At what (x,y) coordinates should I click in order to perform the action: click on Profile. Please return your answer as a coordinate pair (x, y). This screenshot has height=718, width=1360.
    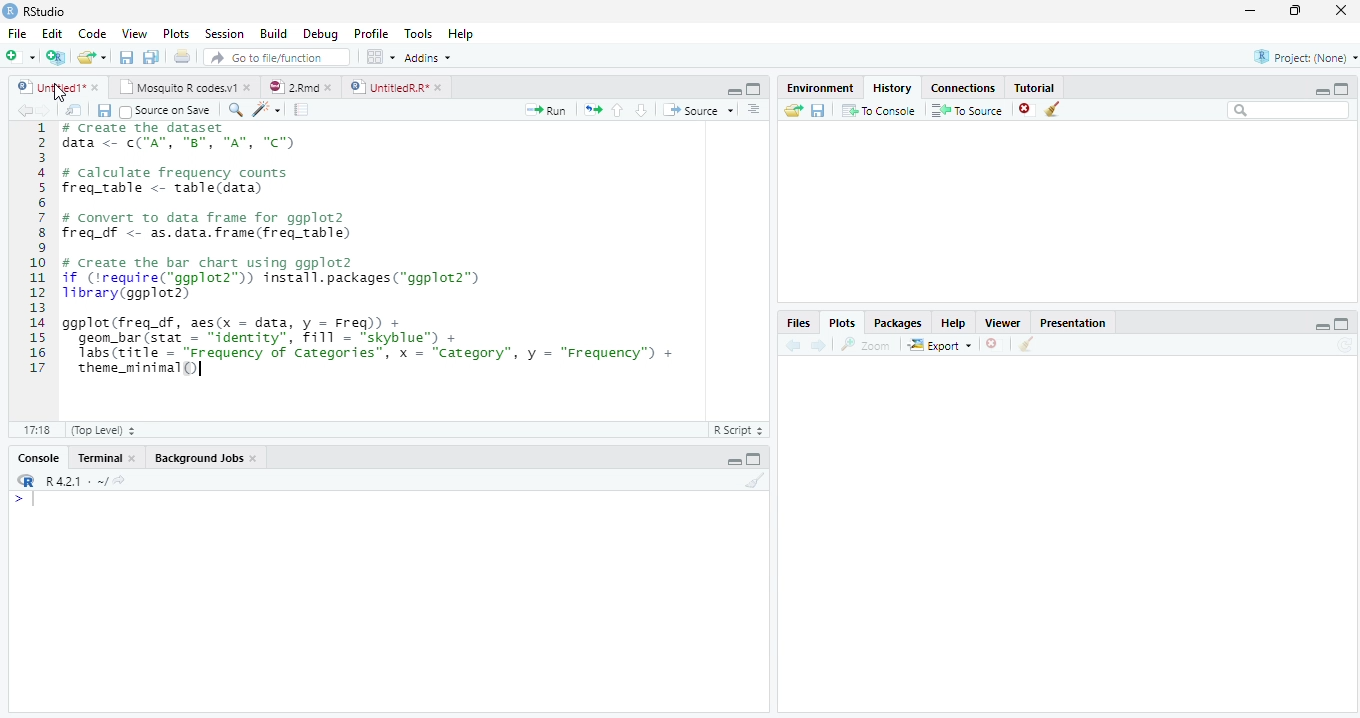
    Looking at the image, I should click on (371, 34).